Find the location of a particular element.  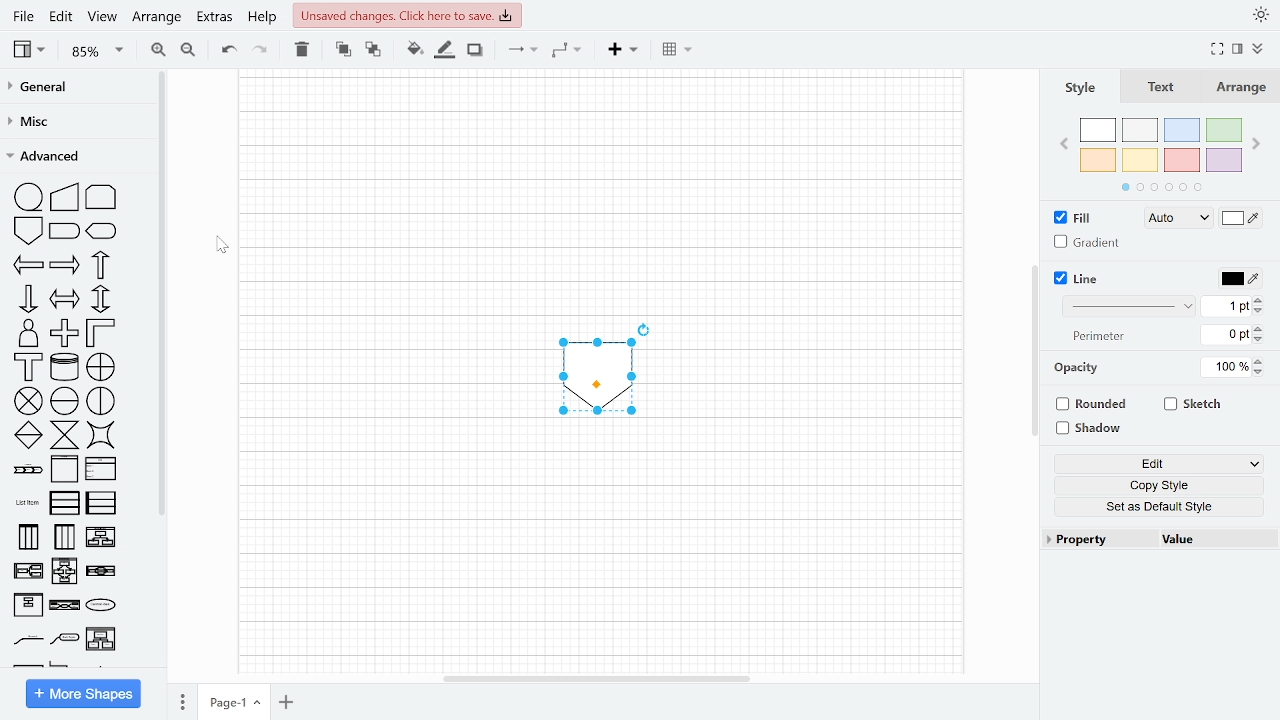

Table is located at coordinates (679, 51).